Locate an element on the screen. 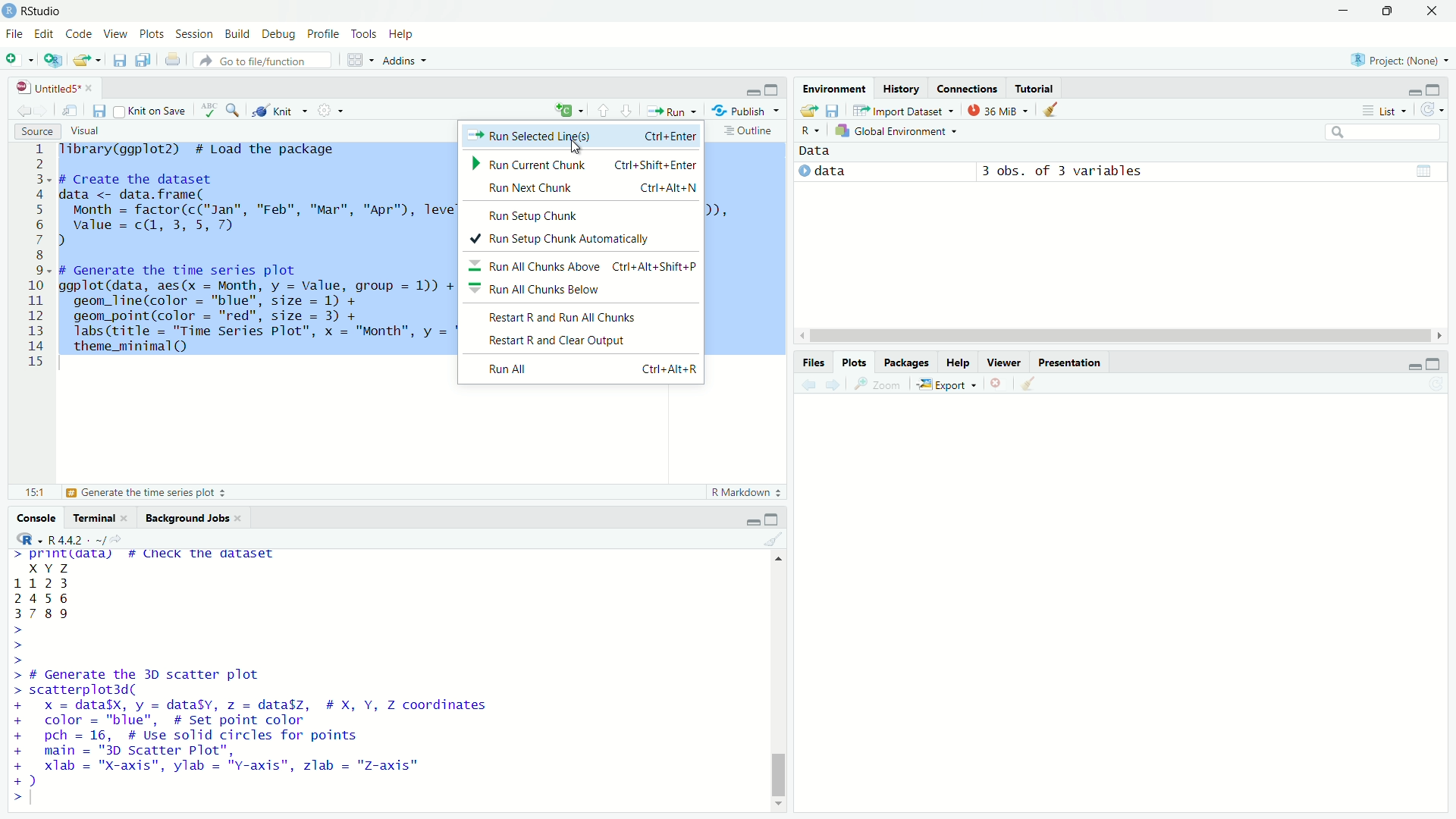 The height and width of the screenshot is (819, 1456). Restart R and Clear Output is located at coordinates (587, 342).